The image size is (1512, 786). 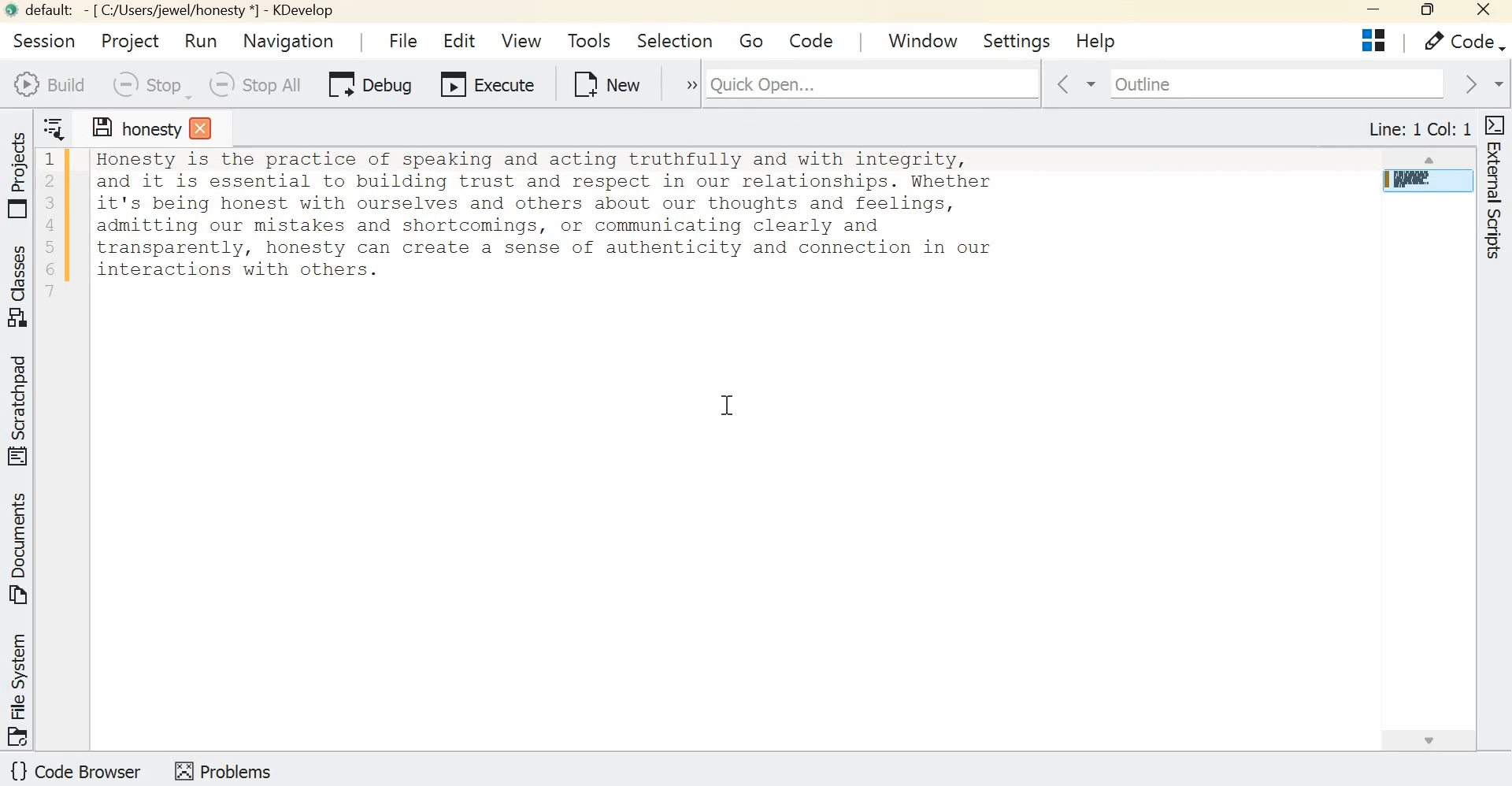 What do you see at coordinates (50, 226) in the screenshot?
I see `Line numbers` at bounding box center [50, 226].